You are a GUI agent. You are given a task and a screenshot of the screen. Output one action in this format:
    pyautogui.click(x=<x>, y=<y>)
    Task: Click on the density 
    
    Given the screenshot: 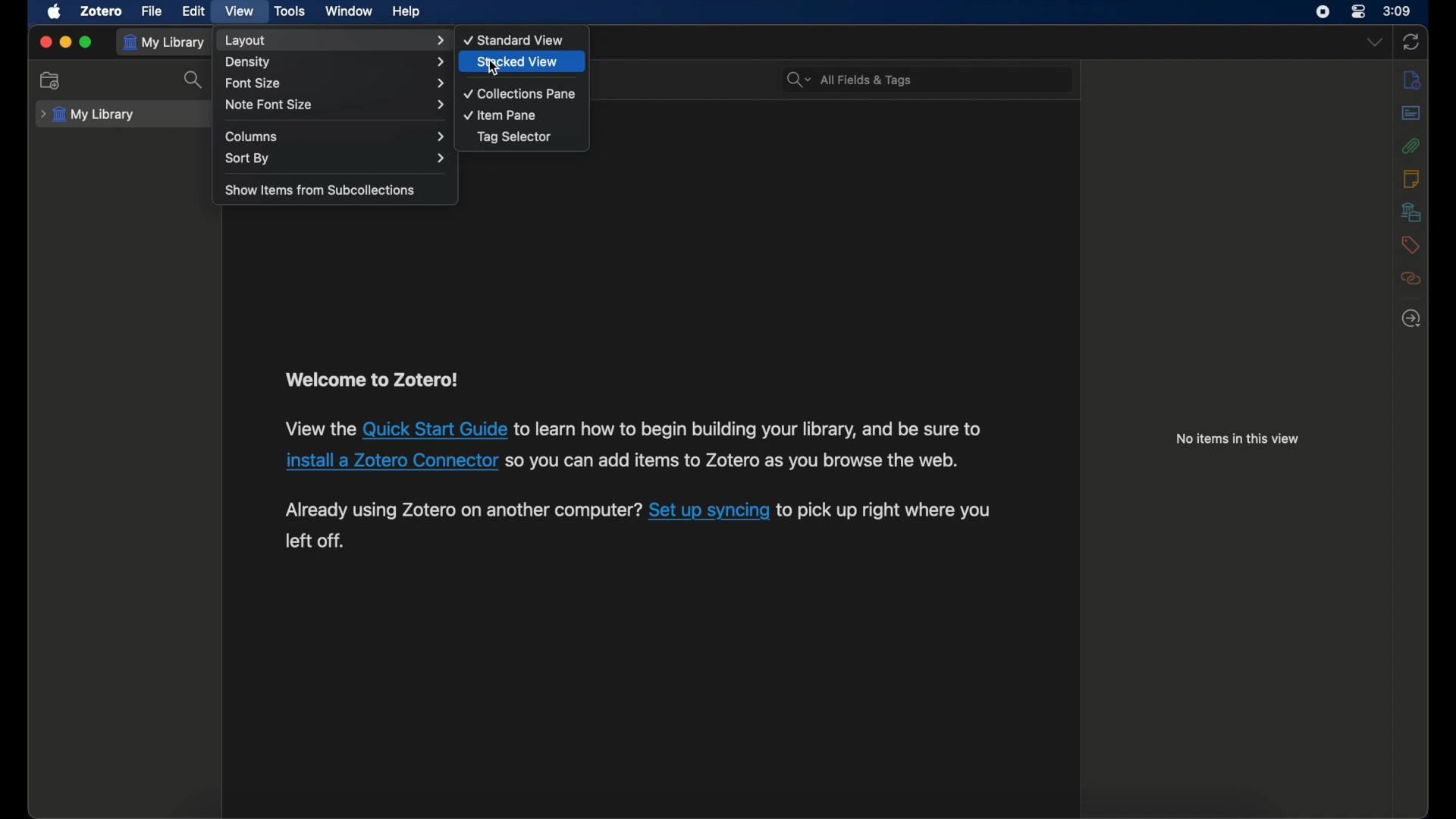 What is the action you would take?
    pyautogui.click(x=337, y=62)
    